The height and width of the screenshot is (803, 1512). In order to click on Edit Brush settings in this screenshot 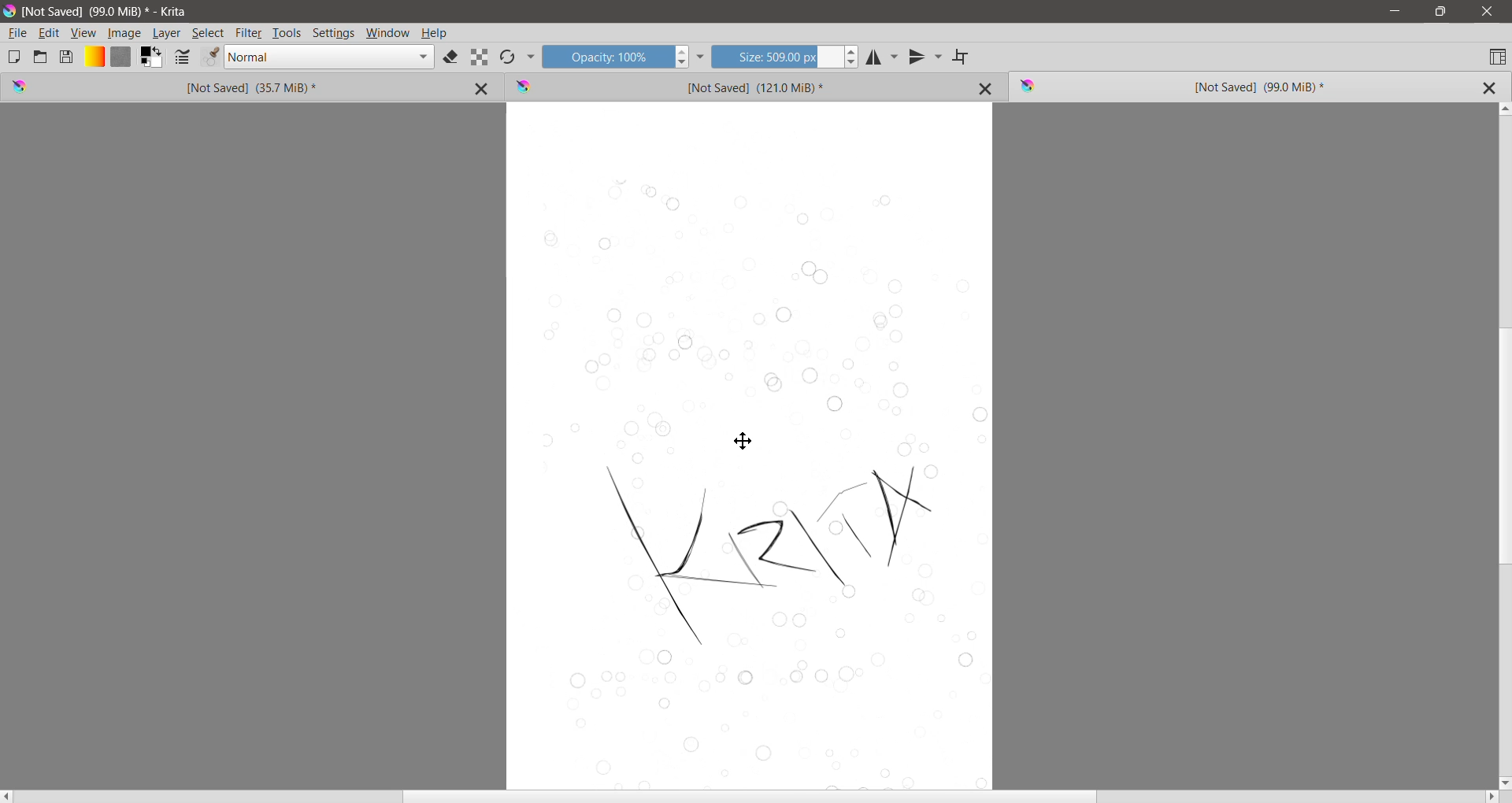, I will do `click(182, 58)`.